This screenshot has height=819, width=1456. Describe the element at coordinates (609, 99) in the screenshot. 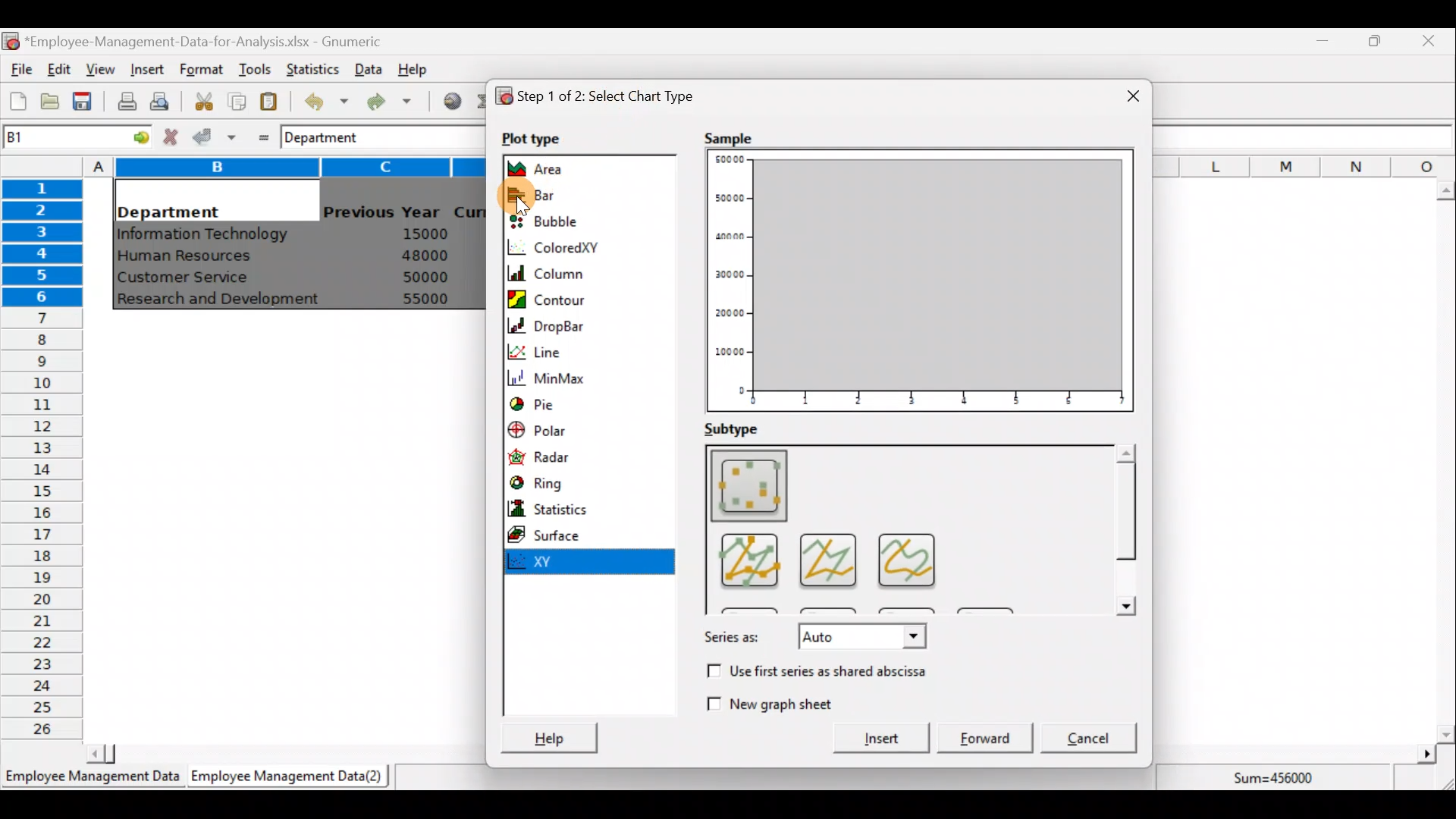

I see `Step 1 of 2: Select chart type` at that location.